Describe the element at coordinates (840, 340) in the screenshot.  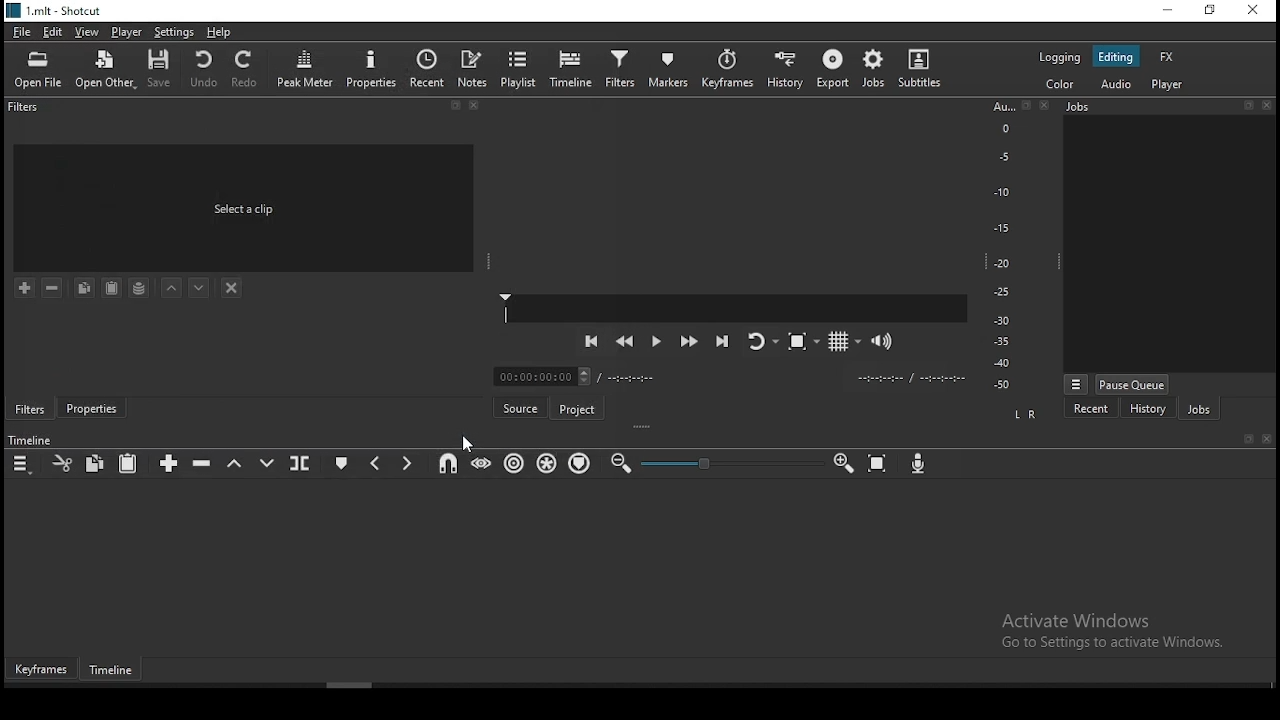
I see `toggle grid display on the player` at that location.